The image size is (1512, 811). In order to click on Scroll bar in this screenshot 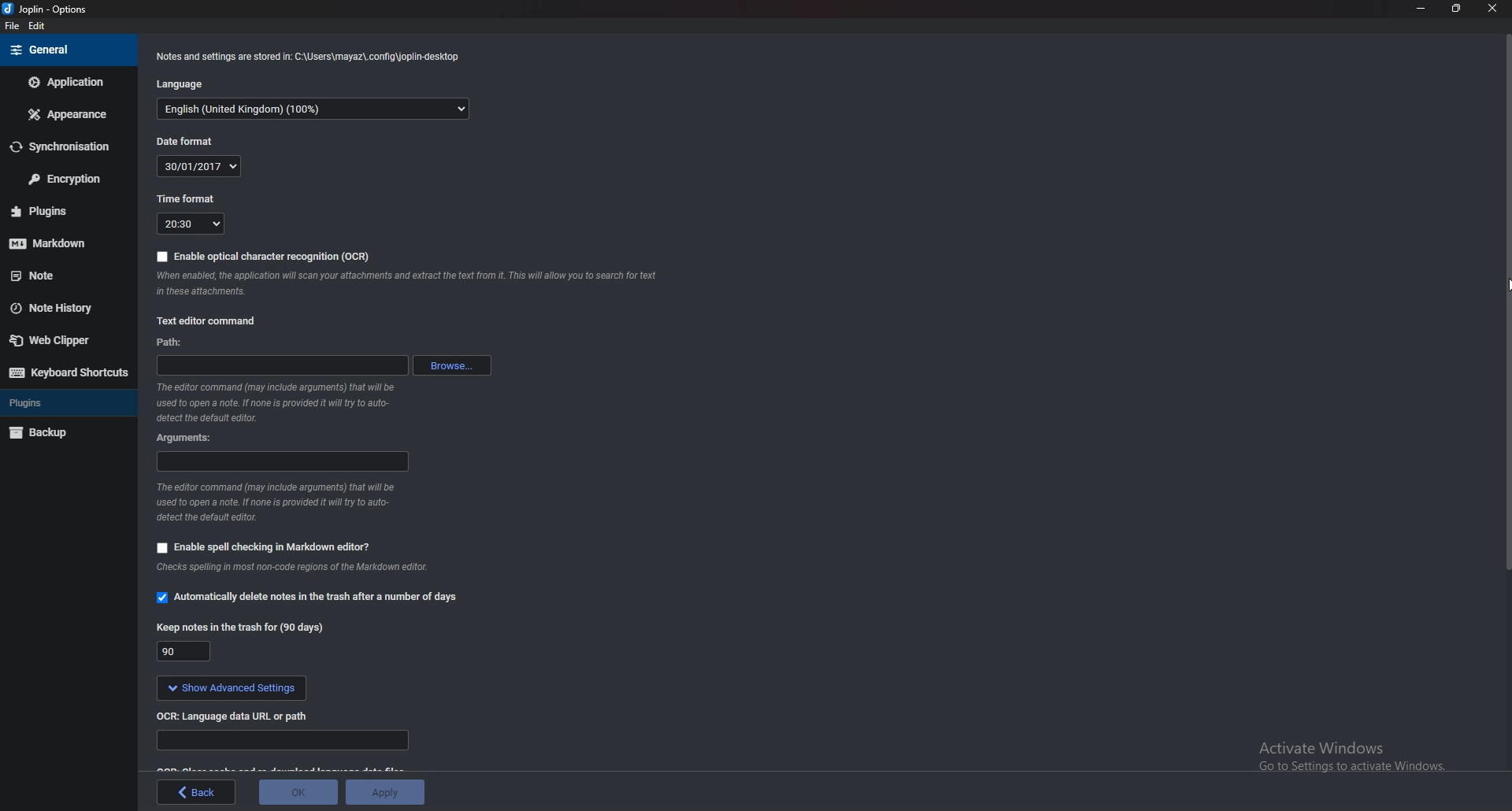, I will do `click(1503, 303)`.